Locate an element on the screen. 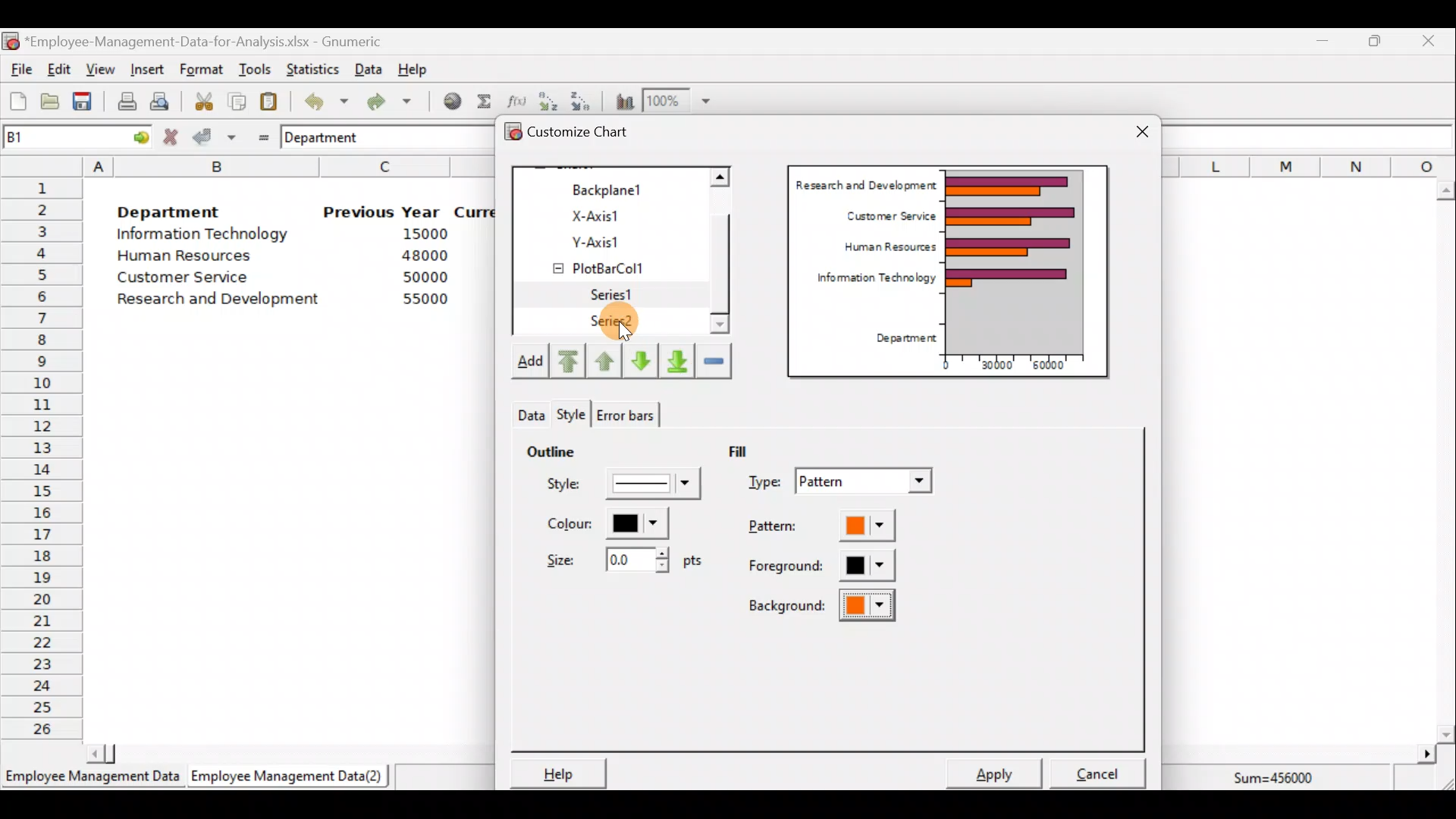  Customer Service is located at coordinates (887, 214).